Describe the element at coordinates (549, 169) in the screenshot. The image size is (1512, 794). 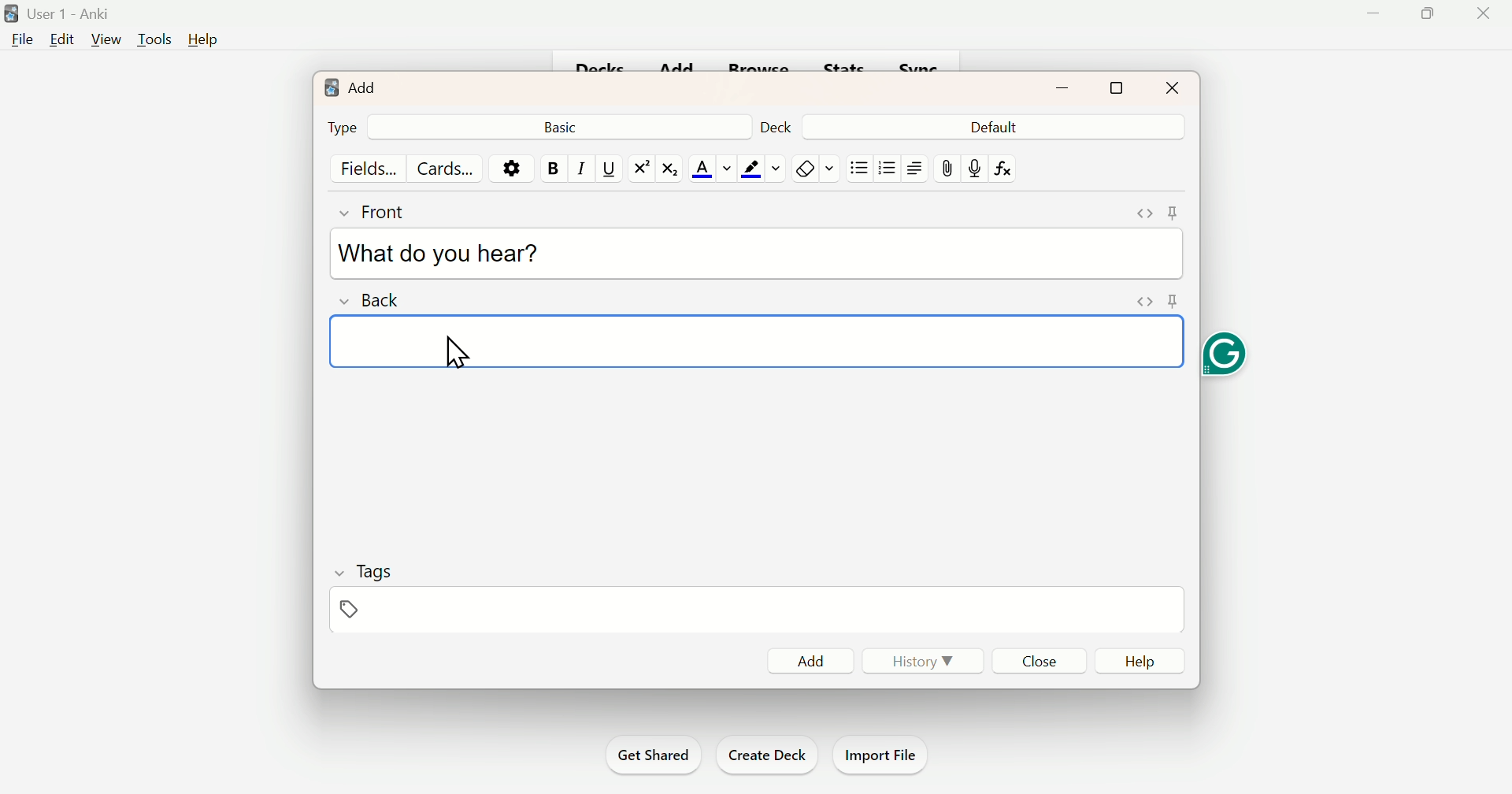
I see `Bold` at that location.